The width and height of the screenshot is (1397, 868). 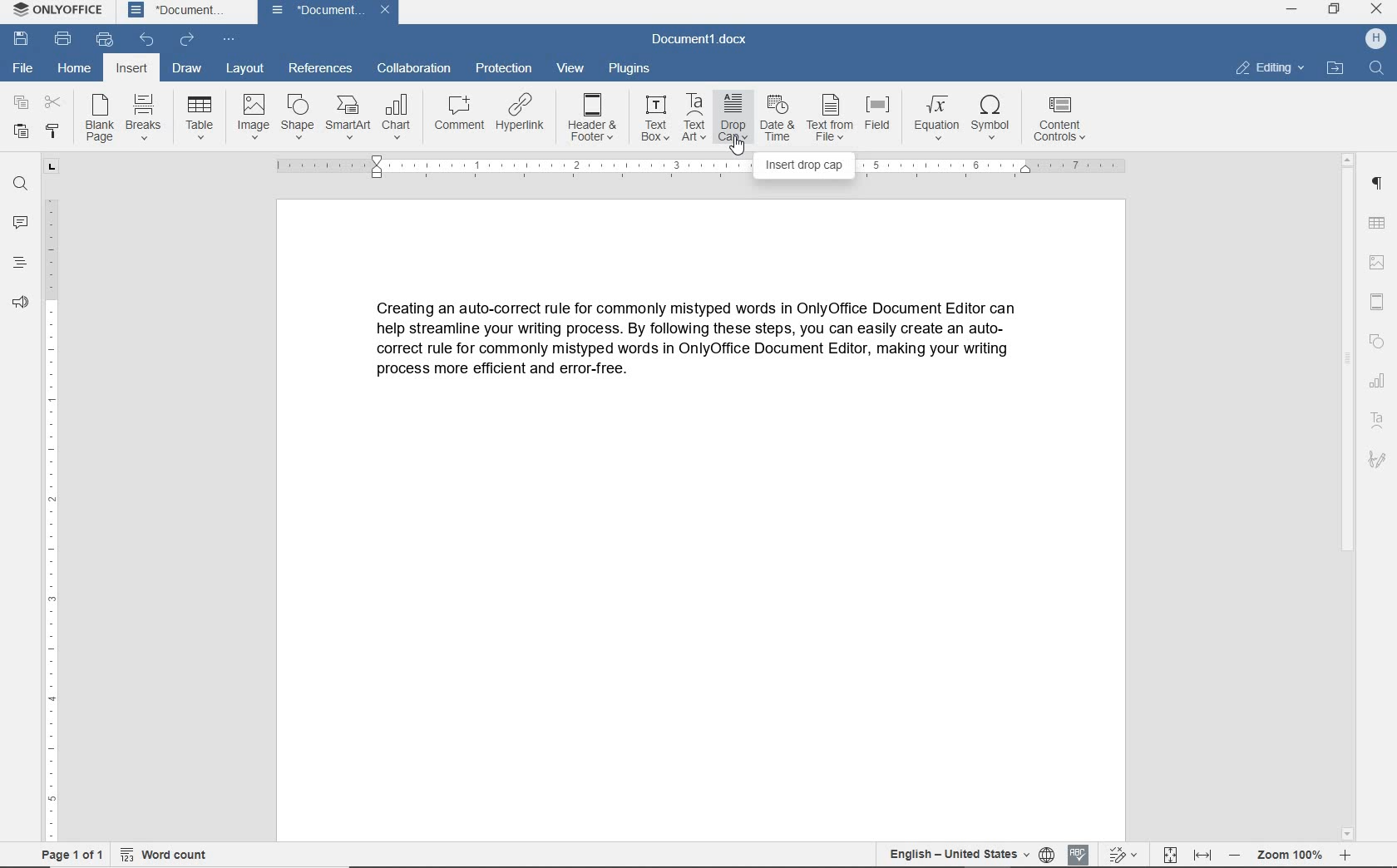 I want to click on field, so click(x=881, y=118).